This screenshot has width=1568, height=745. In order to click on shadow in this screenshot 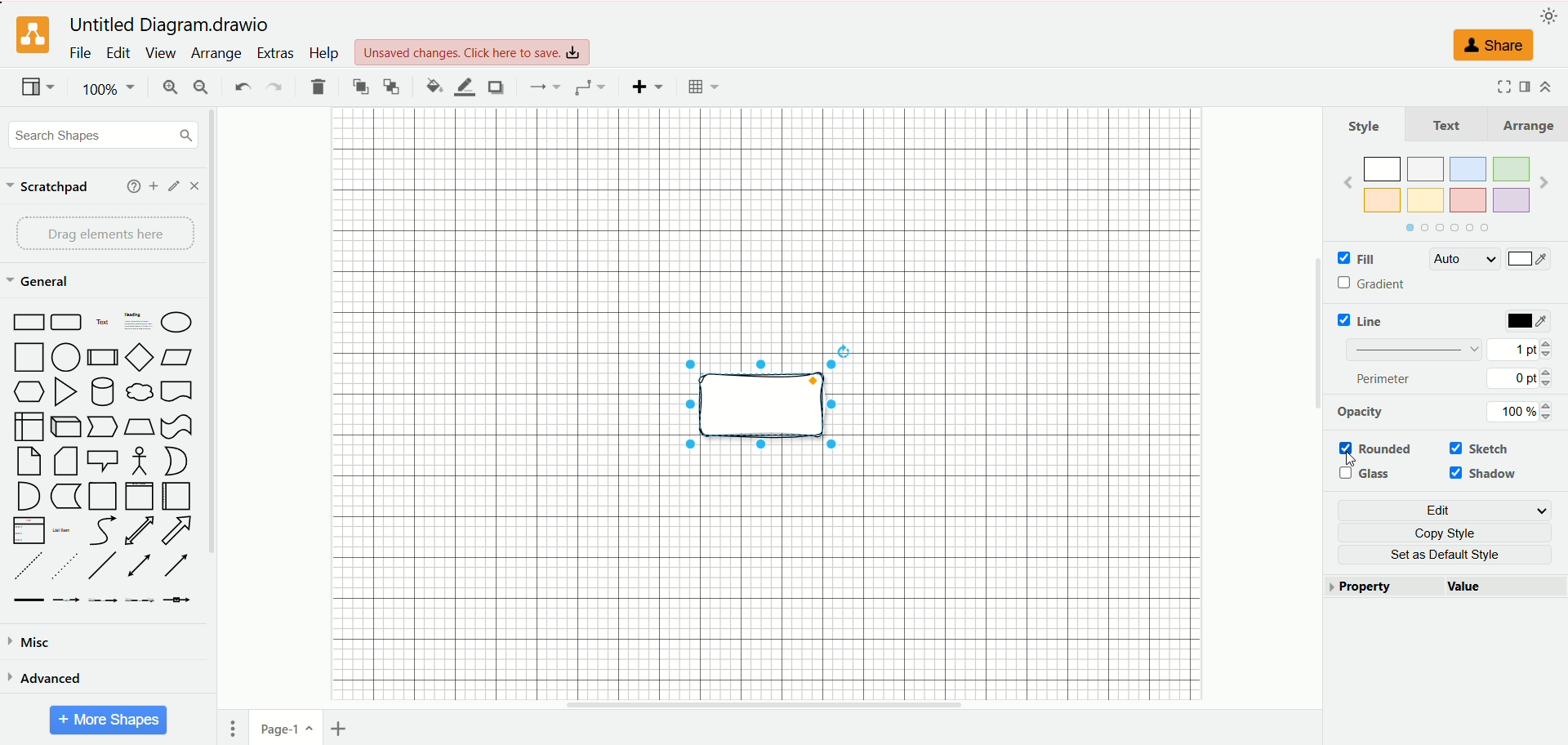, I will do `click(495, 87)`.